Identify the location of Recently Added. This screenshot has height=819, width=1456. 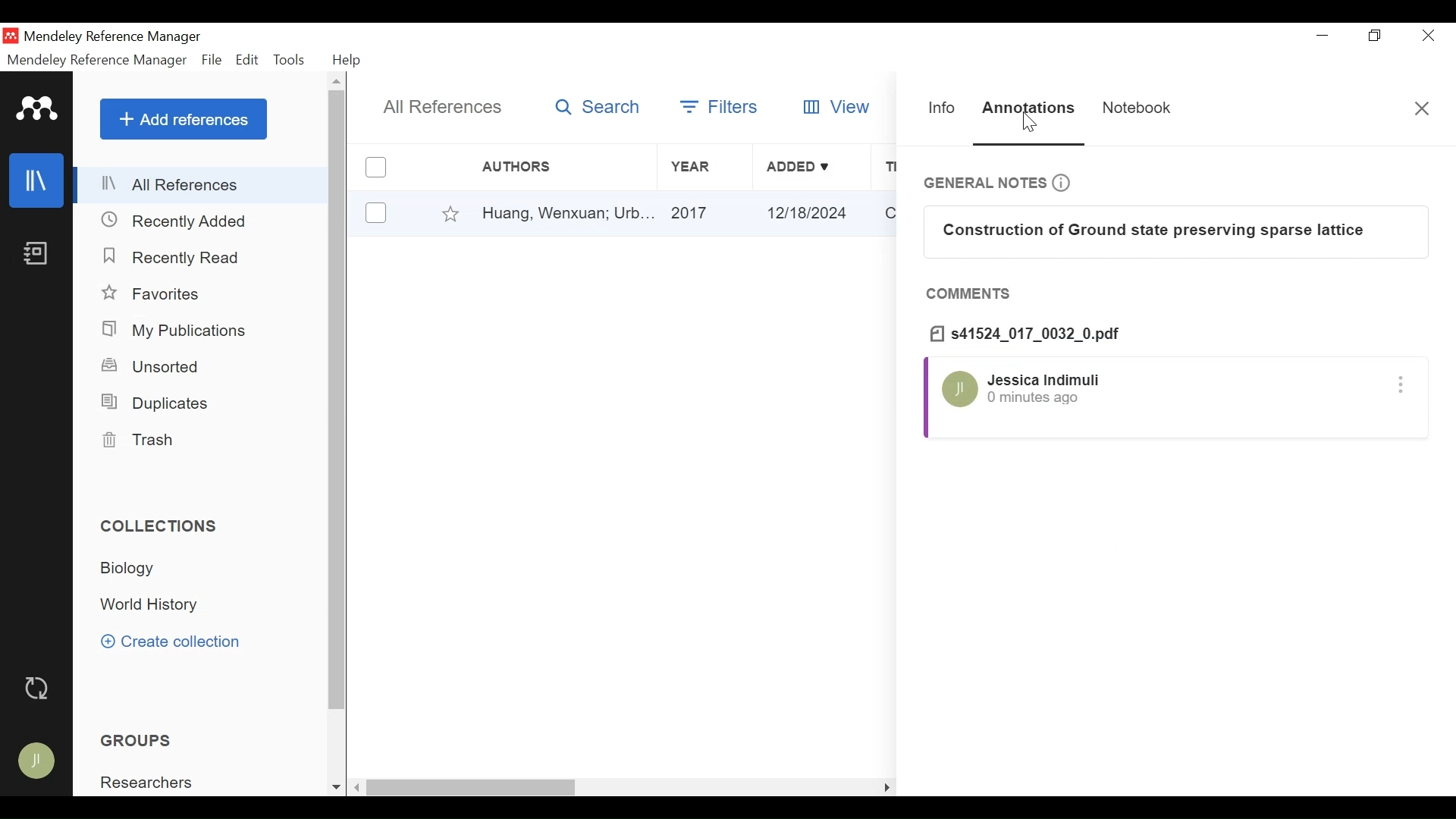
(175, 221).